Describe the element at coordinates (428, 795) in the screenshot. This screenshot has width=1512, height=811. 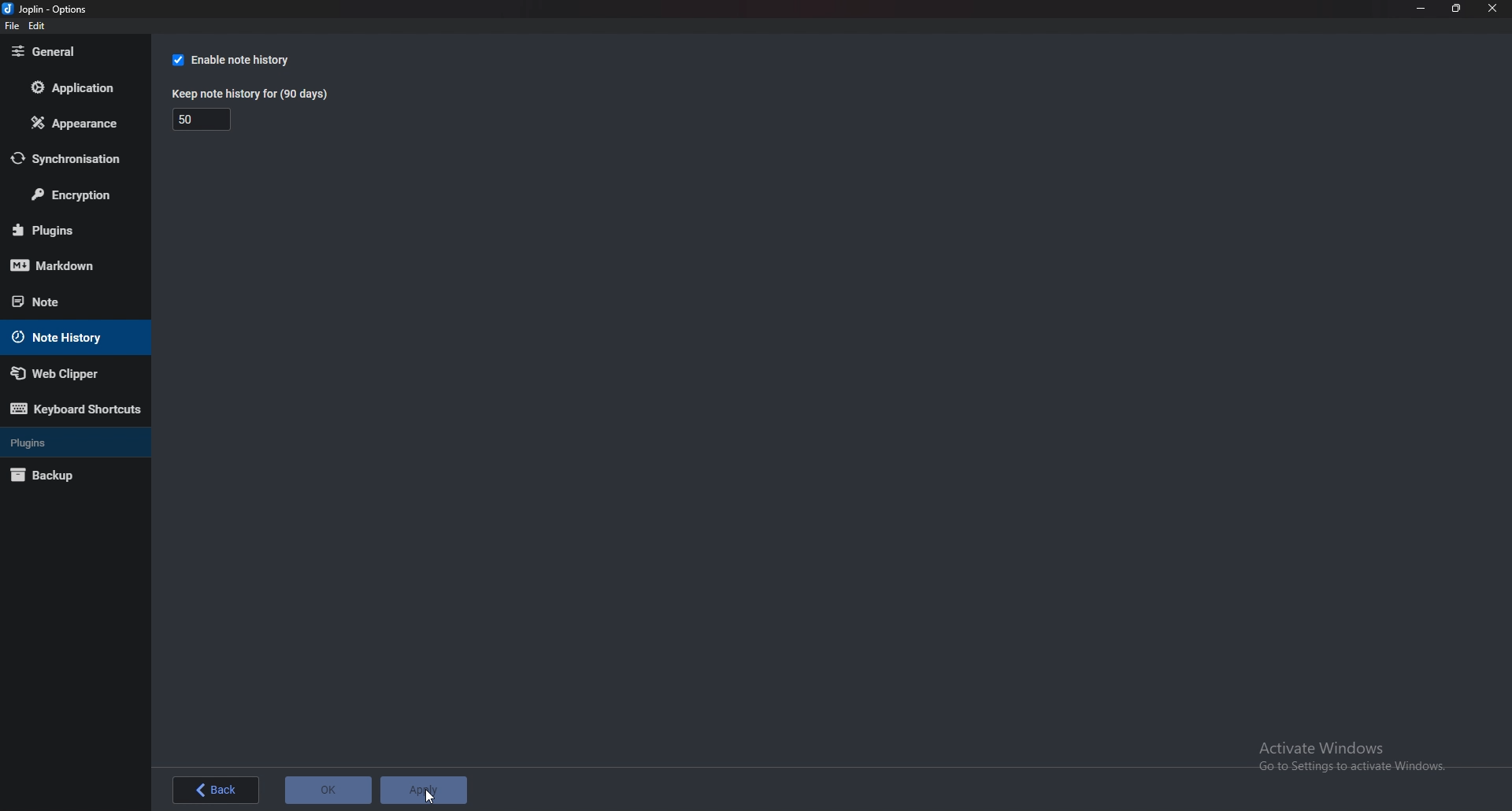
I see `Cursor` at that location.